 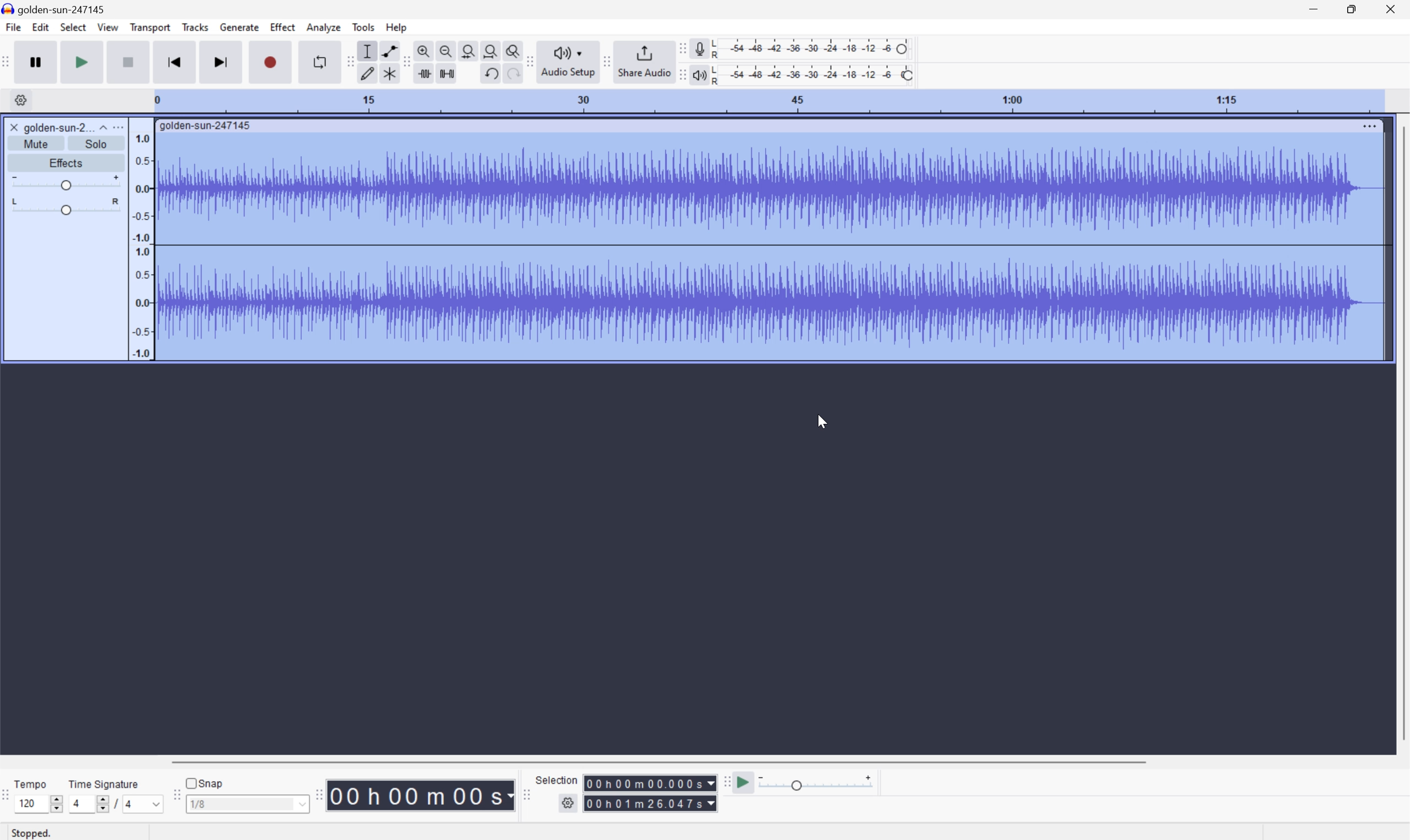 I want to click on Trim audio outside selection, so click(x=426, y=73).